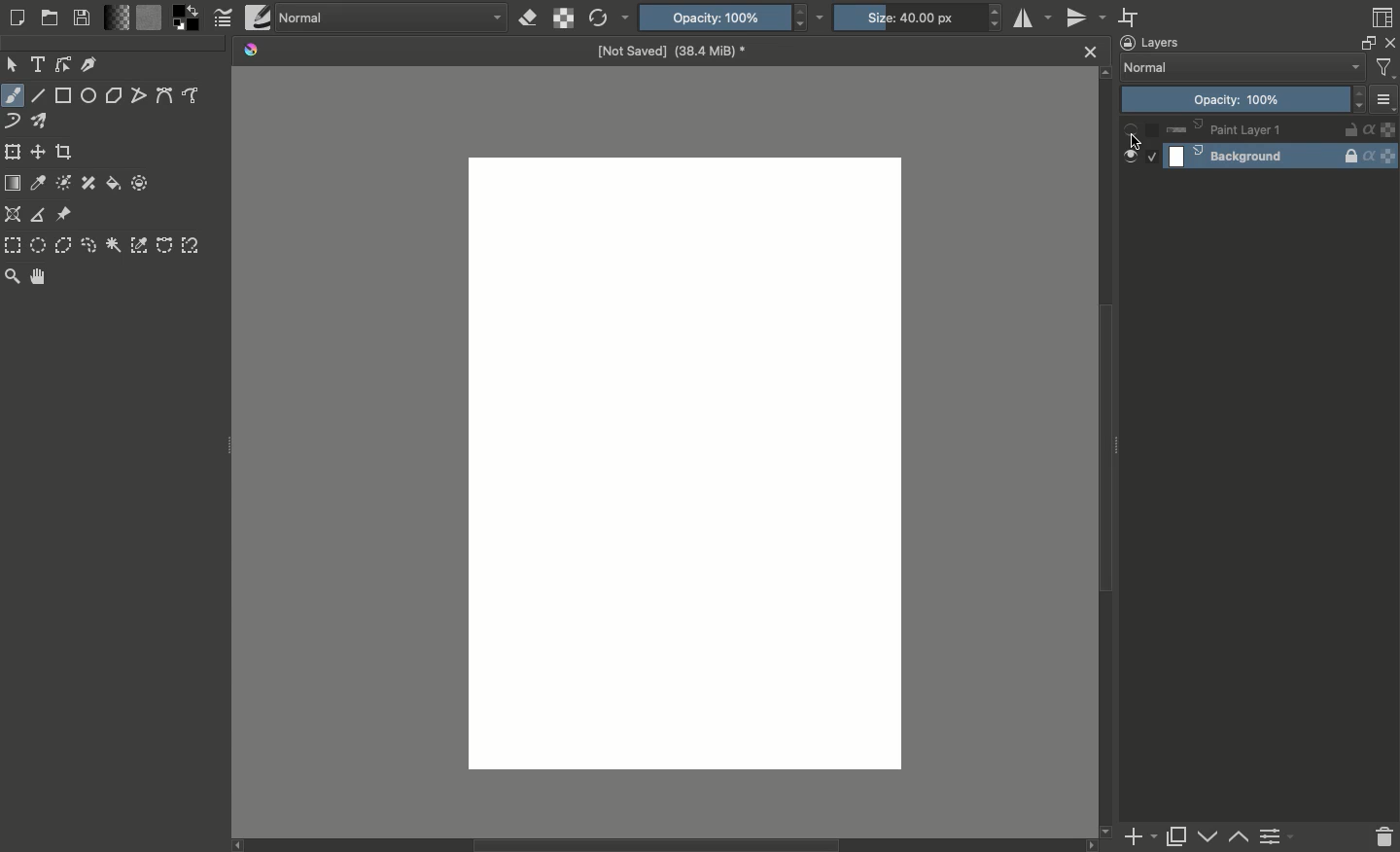 The image size is (1400, 852). What do you see at coordinates (665, 847) in the screenshot?
I see `Scroll` at bounding box center [665, 847].